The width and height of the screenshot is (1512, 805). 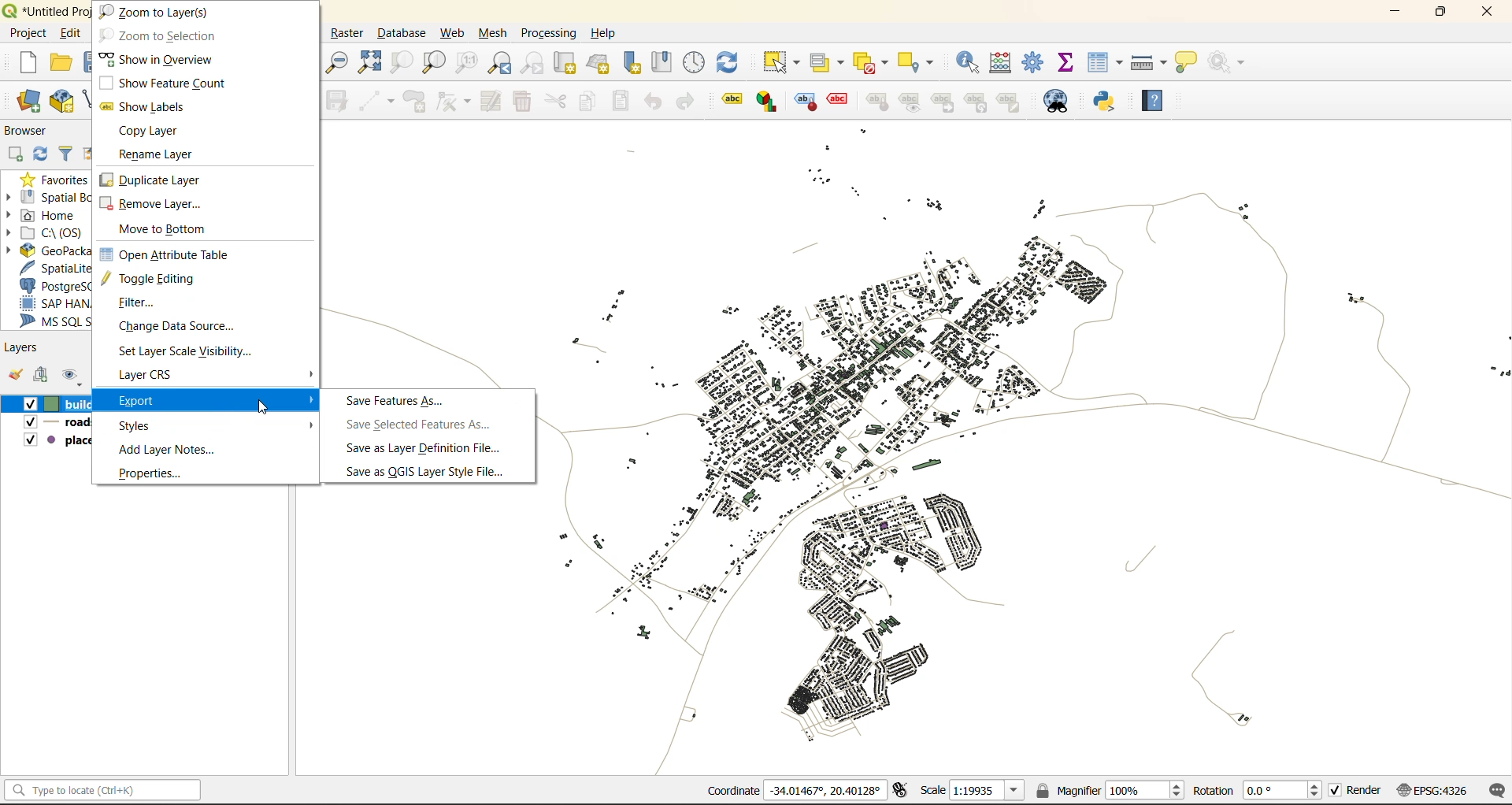 I want to click on save features as, so click(x=403, y=400).